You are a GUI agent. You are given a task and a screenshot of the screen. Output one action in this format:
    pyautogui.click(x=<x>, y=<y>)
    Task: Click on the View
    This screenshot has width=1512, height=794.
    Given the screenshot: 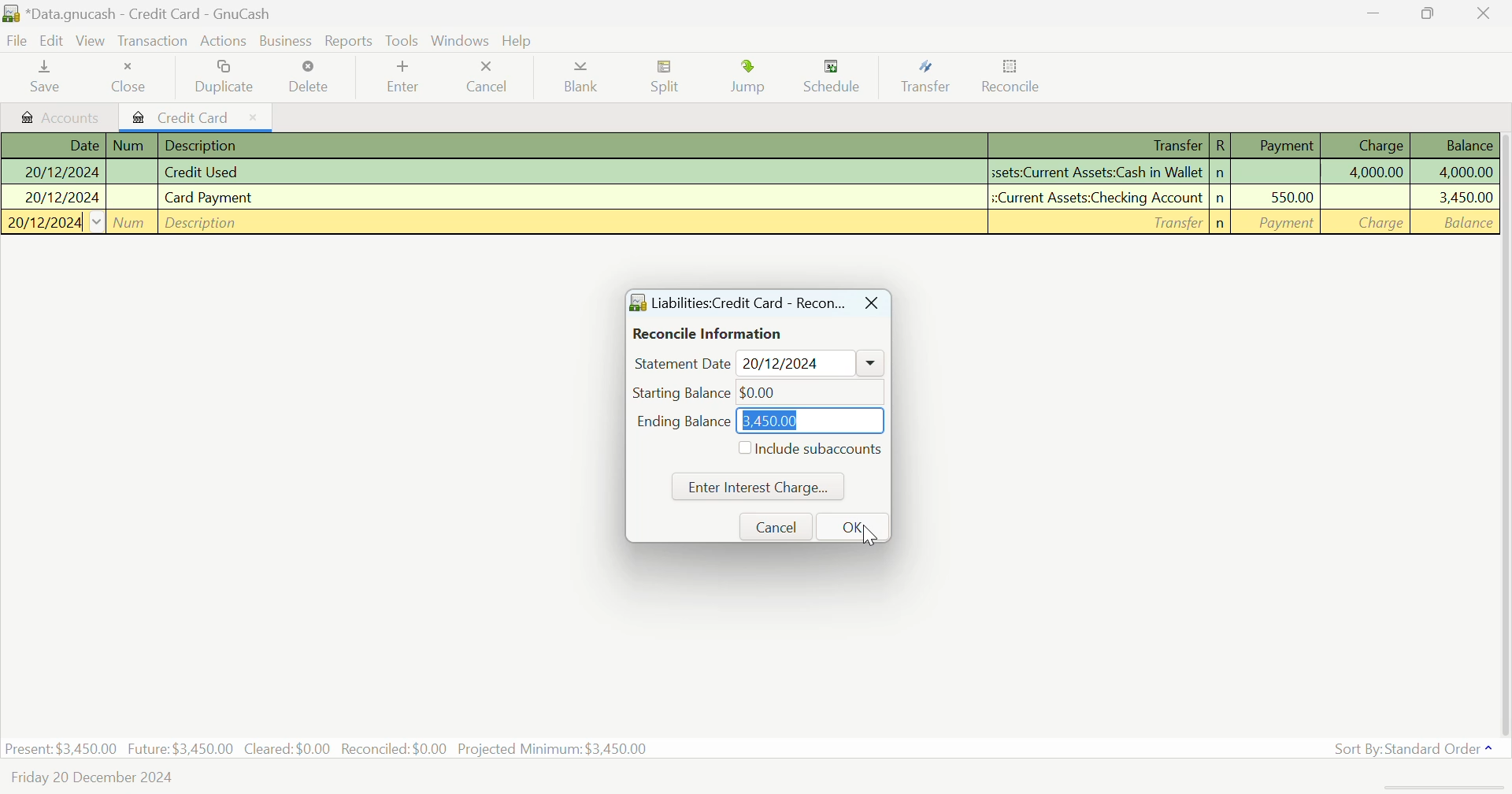 What is the action you would take?
    pyautogui.click(x=89, y=40)
    